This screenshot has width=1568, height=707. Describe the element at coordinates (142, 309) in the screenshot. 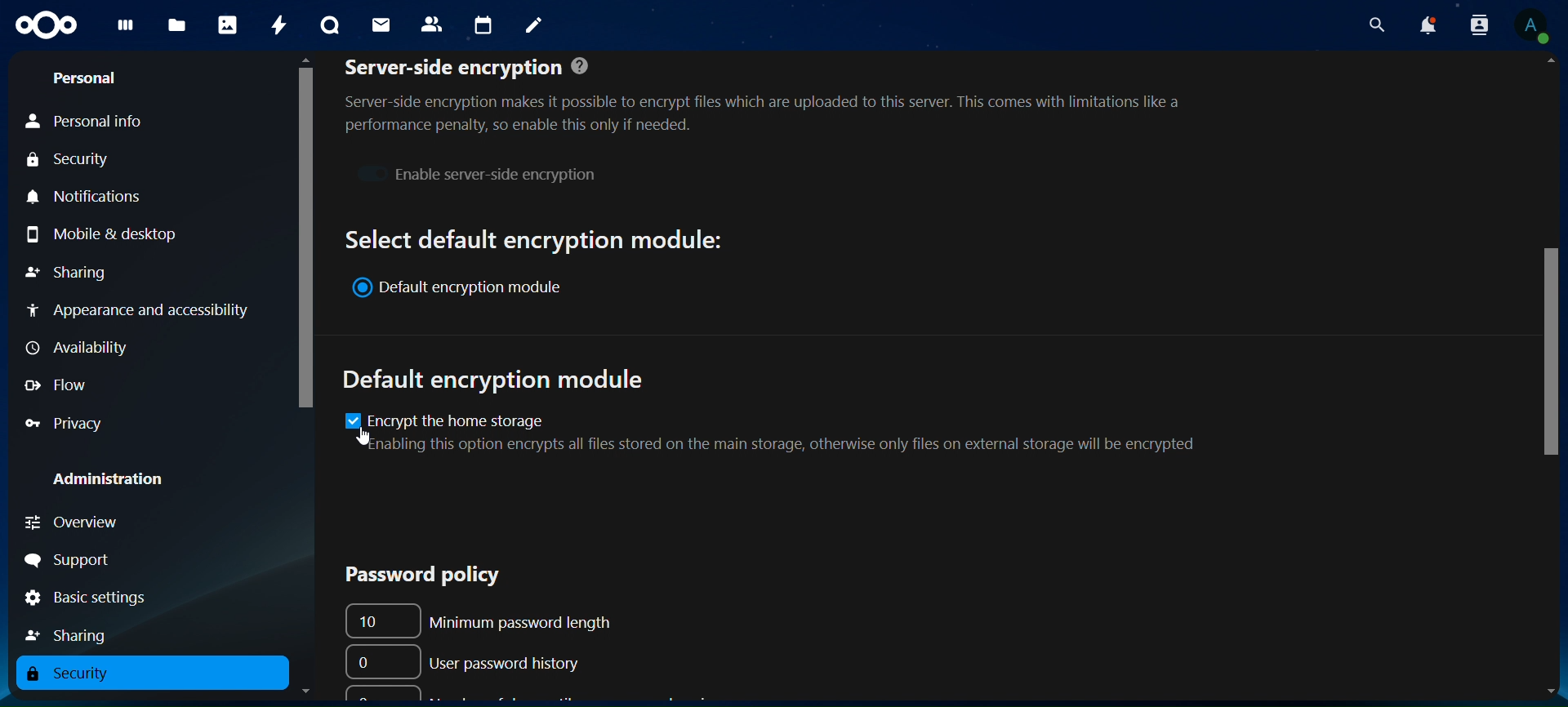

I see `appearance and accessibilty` at that location.